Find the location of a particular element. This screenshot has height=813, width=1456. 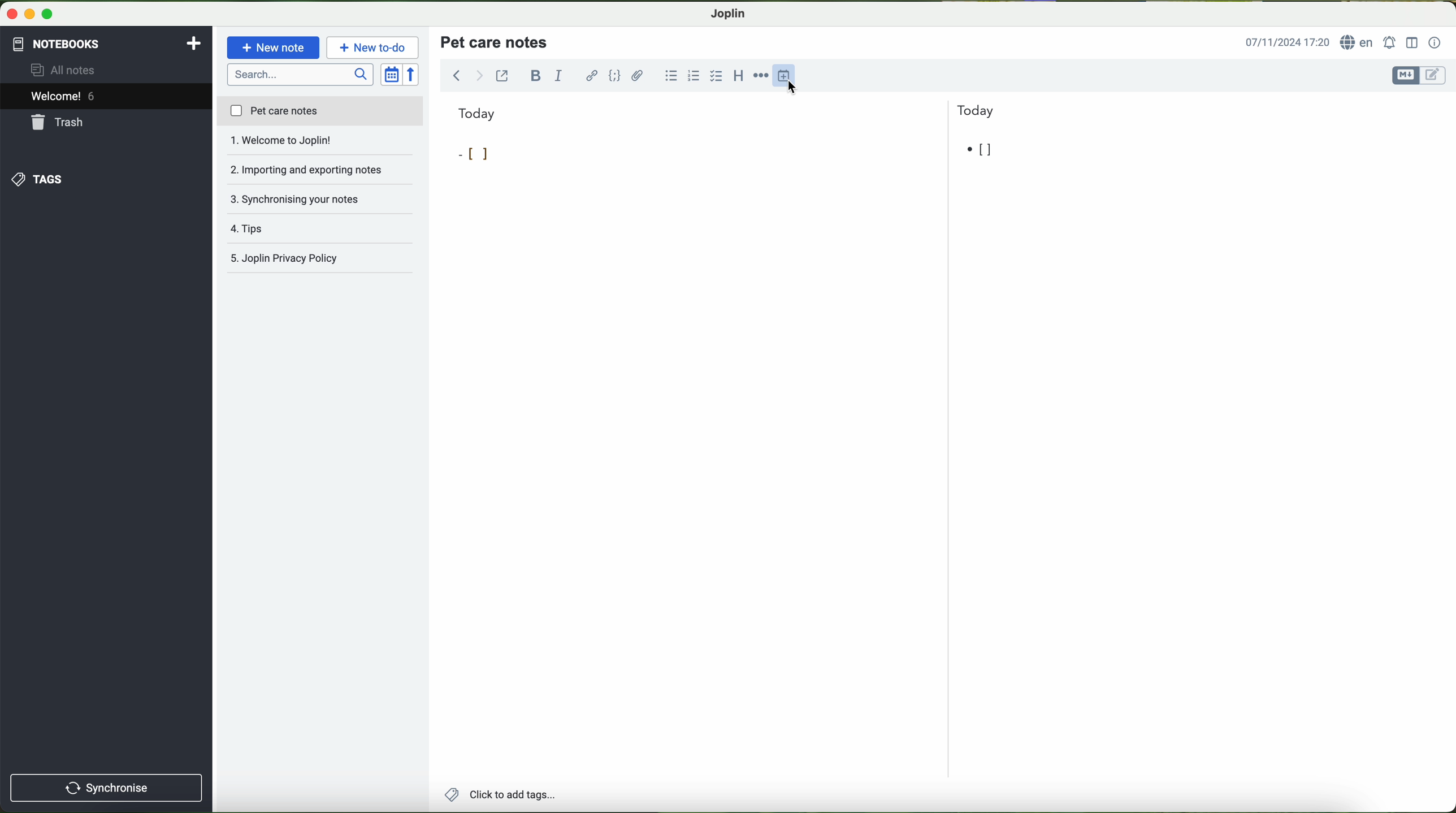

tags is located at coordinates (36, 179).